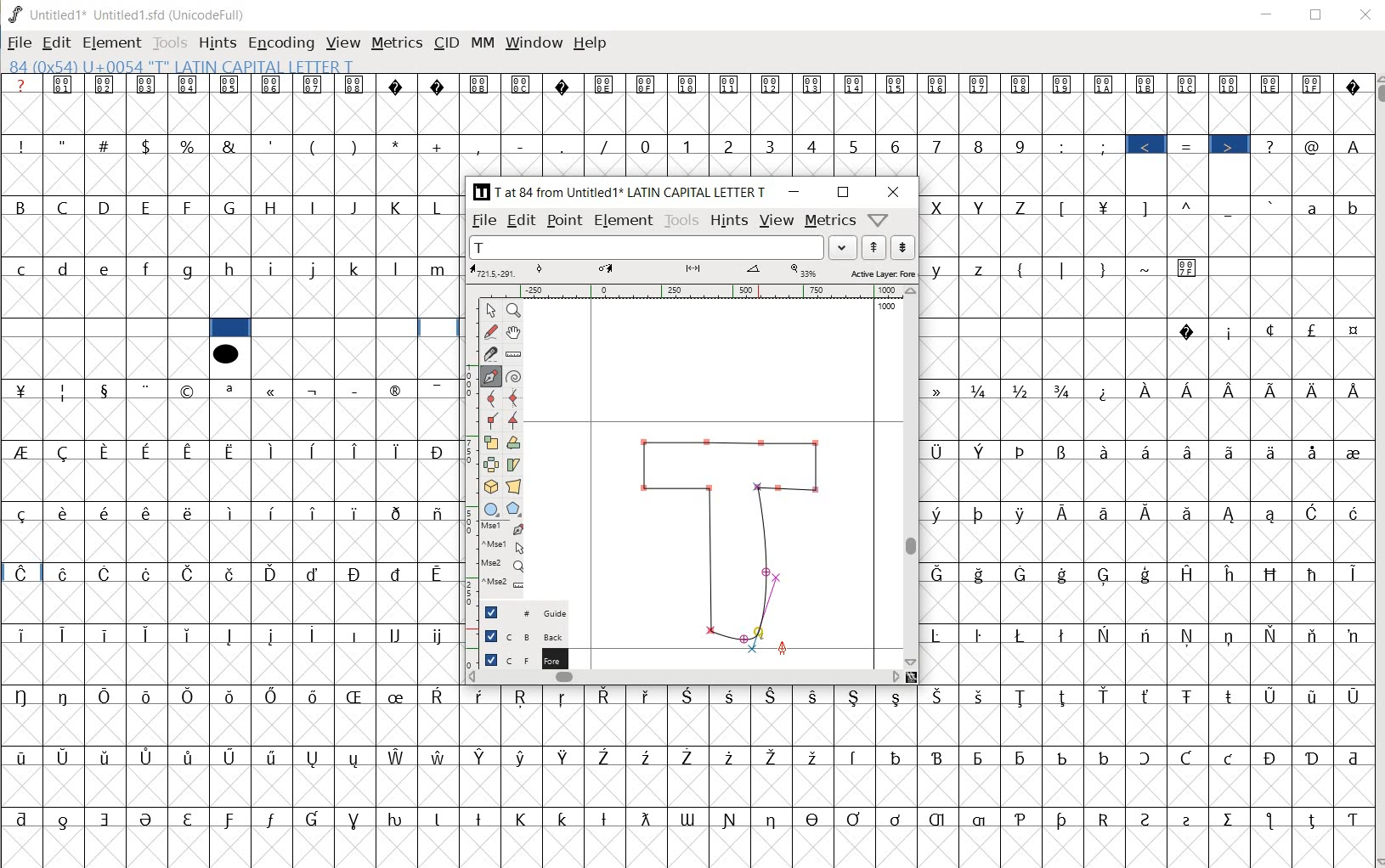 The width and height of the screenshot is (1385, 868). What do you see at coordinates (233, 697) in the screenshot?
I see `Symbol` at bounding box center [233, 697].